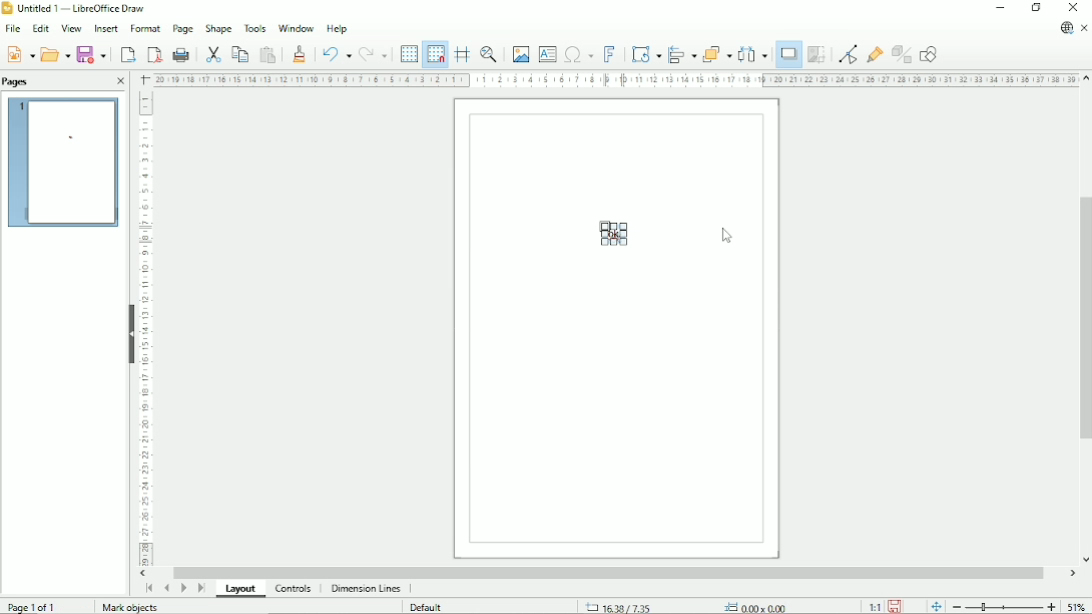  Describe the element at coordinates (487, 53) in the screenshot. I see `Zoom & pan` at that location.